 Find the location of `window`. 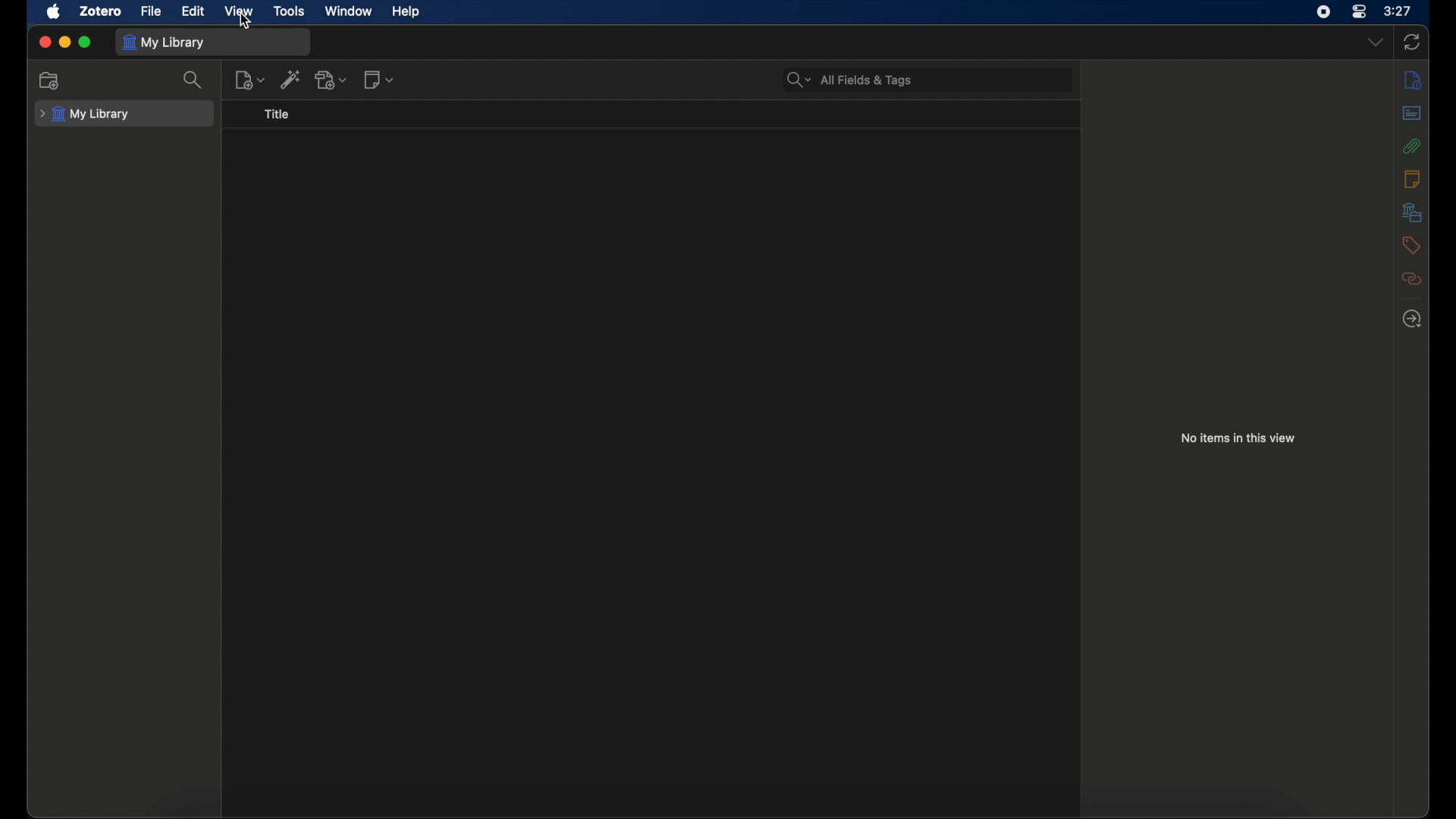

window is located at coordinates (349, 11).